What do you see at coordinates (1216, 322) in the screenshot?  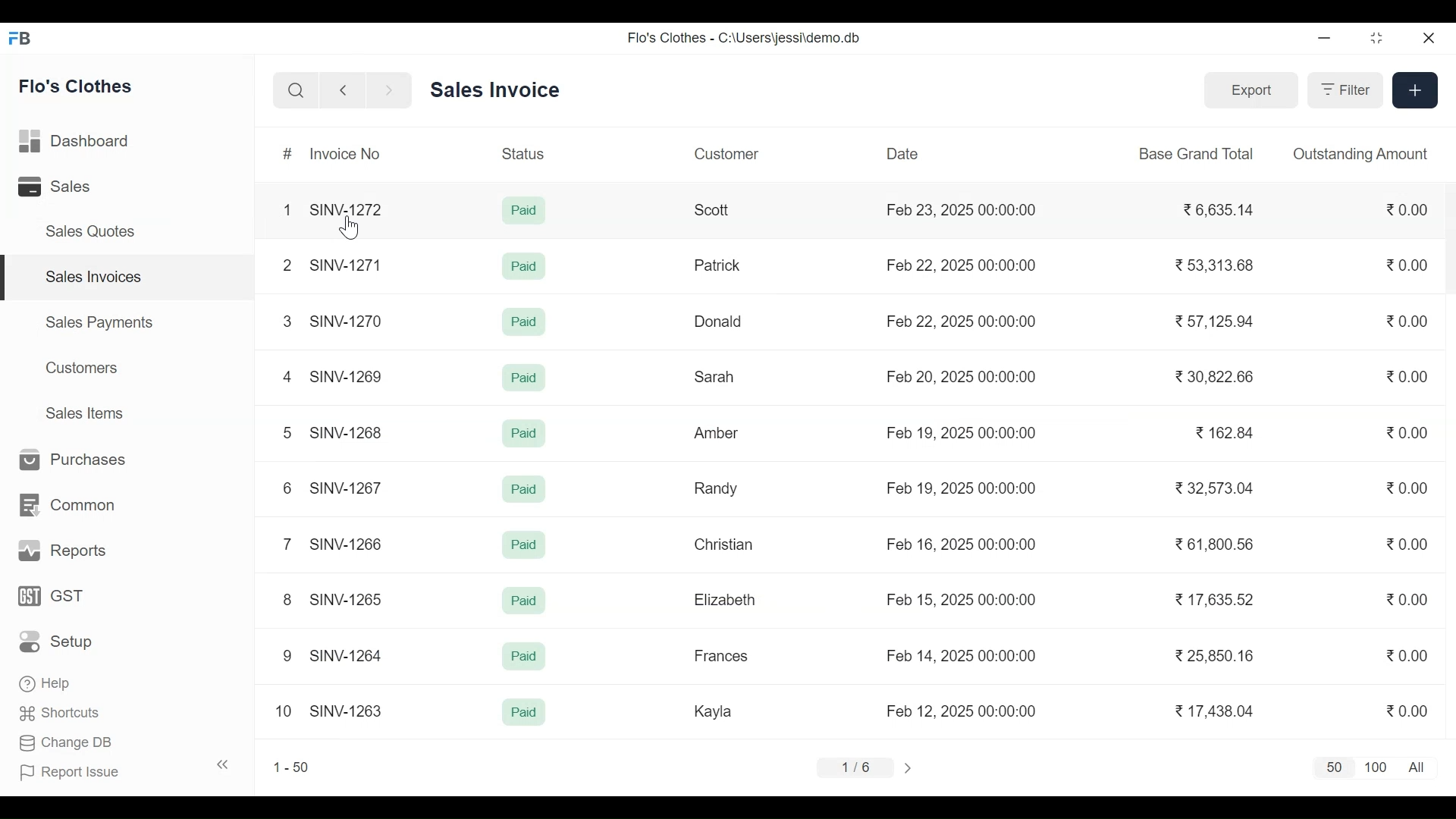 I see `57.125.94` at bounding box center [1216, 322].